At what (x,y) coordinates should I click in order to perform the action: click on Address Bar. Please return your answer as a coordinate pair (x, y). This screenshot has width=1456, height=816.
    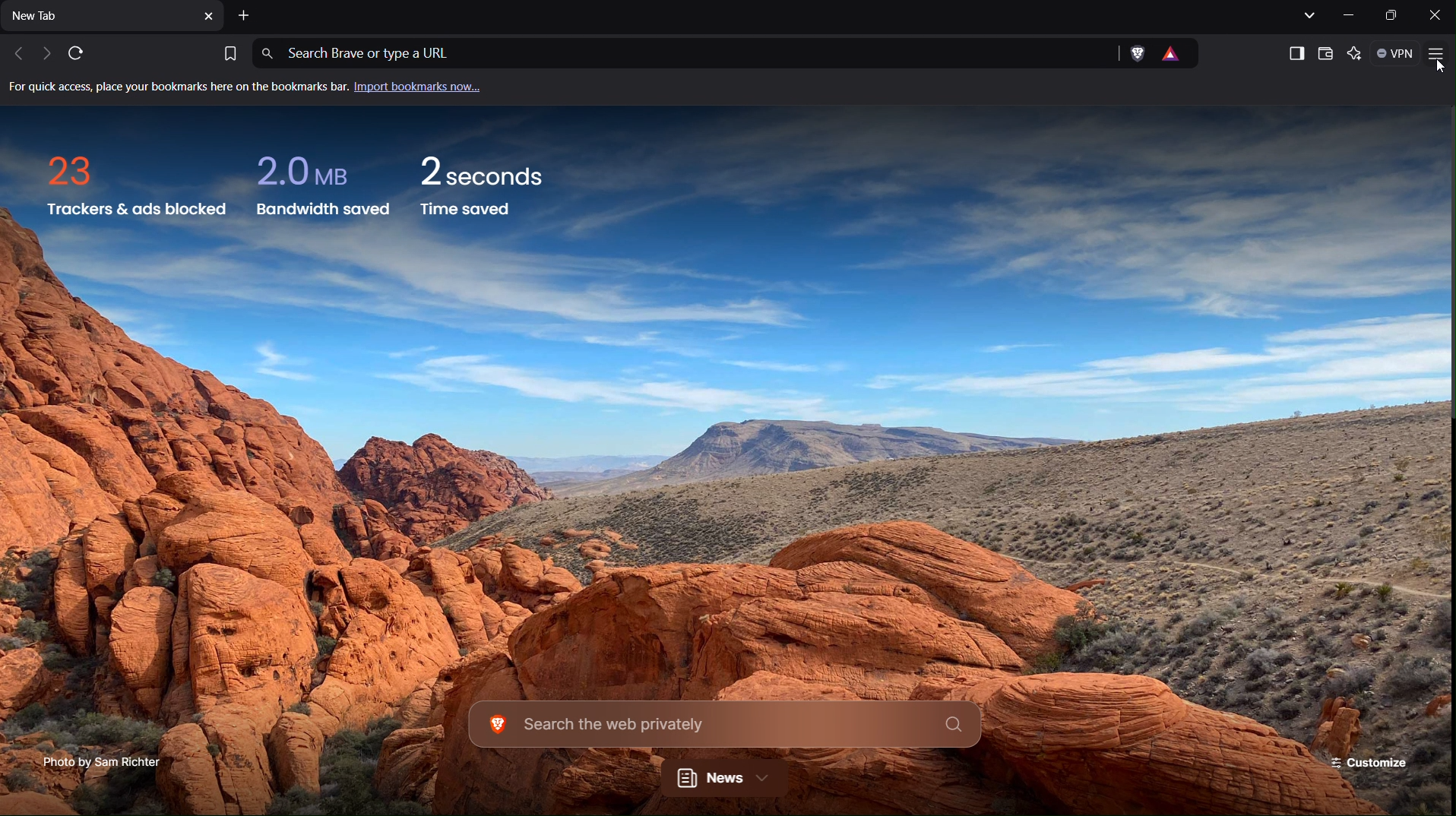
    Looking at the image, I should click on (727, 56).